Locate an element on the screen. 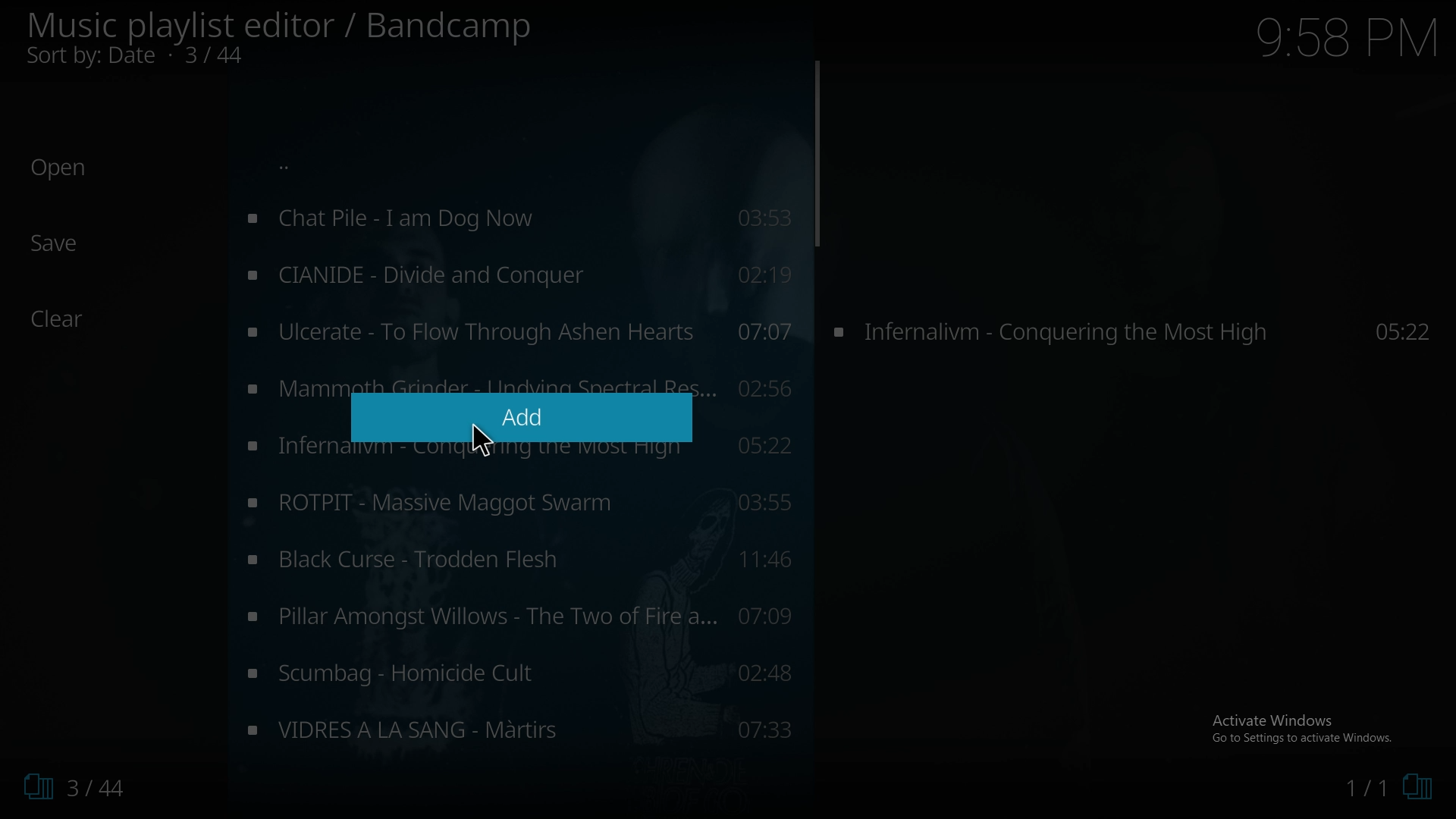 Image resolution: width=1456 pixels, height=819 pixels. 1/3 is located at coordinates (68, 787).